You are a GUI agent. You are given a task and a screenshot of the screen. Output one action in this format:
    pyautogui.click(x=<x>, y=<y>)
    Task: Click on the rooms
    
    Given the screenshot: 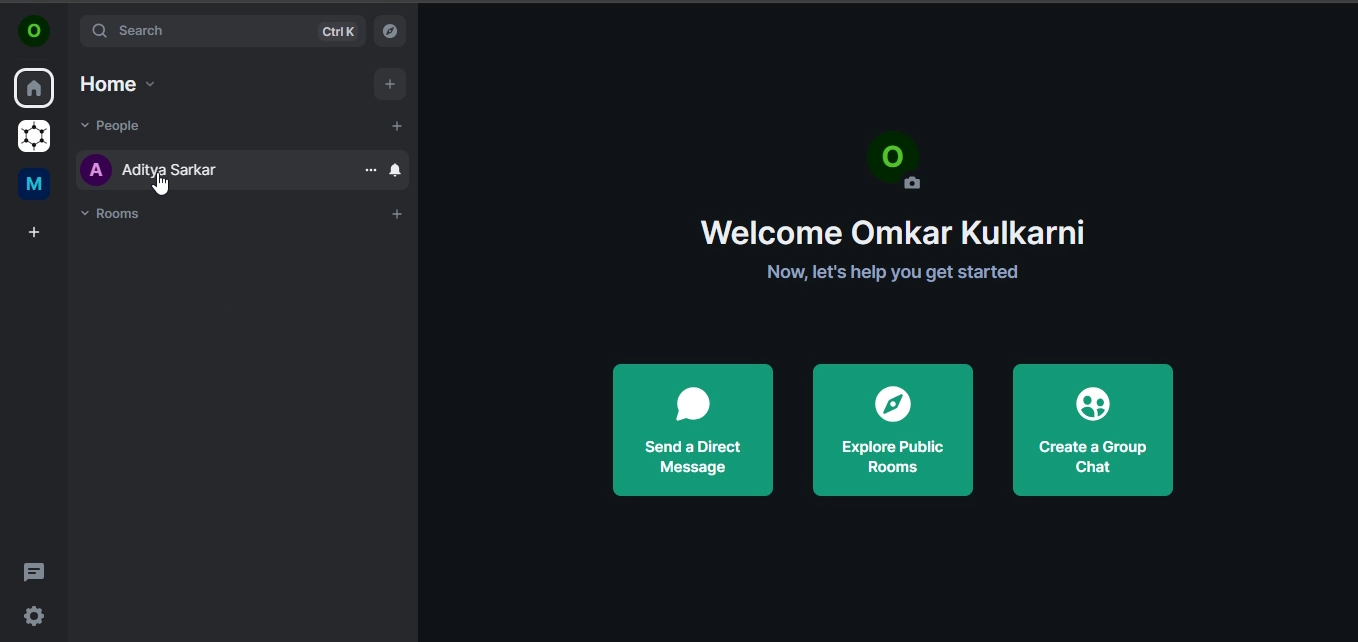 What is the action you would take?
    pyautogui.click(x=114, y=214)
    